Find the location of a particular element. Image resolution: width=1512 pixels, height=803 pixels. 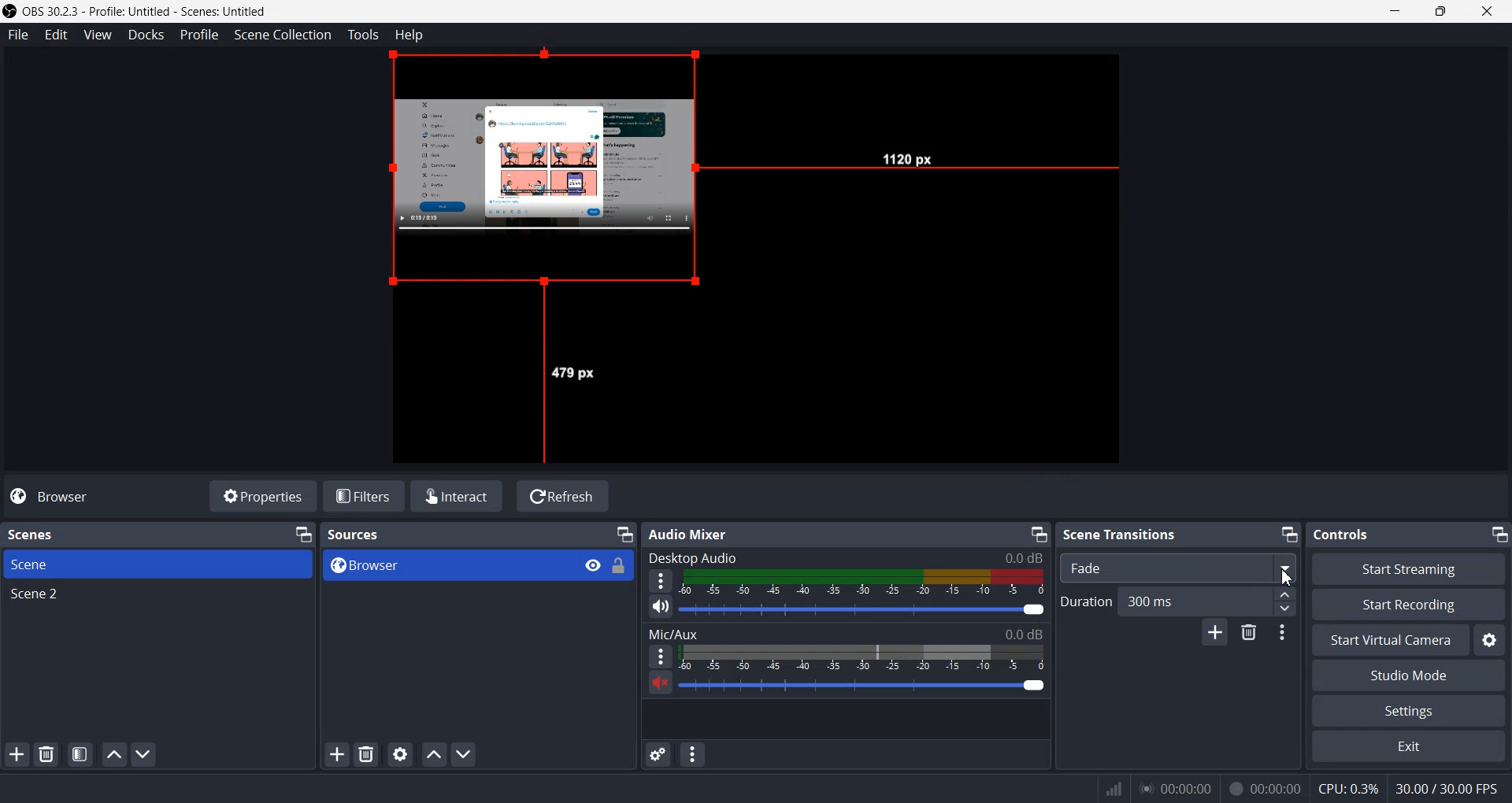

Edit is located at coordinates (57, 35).